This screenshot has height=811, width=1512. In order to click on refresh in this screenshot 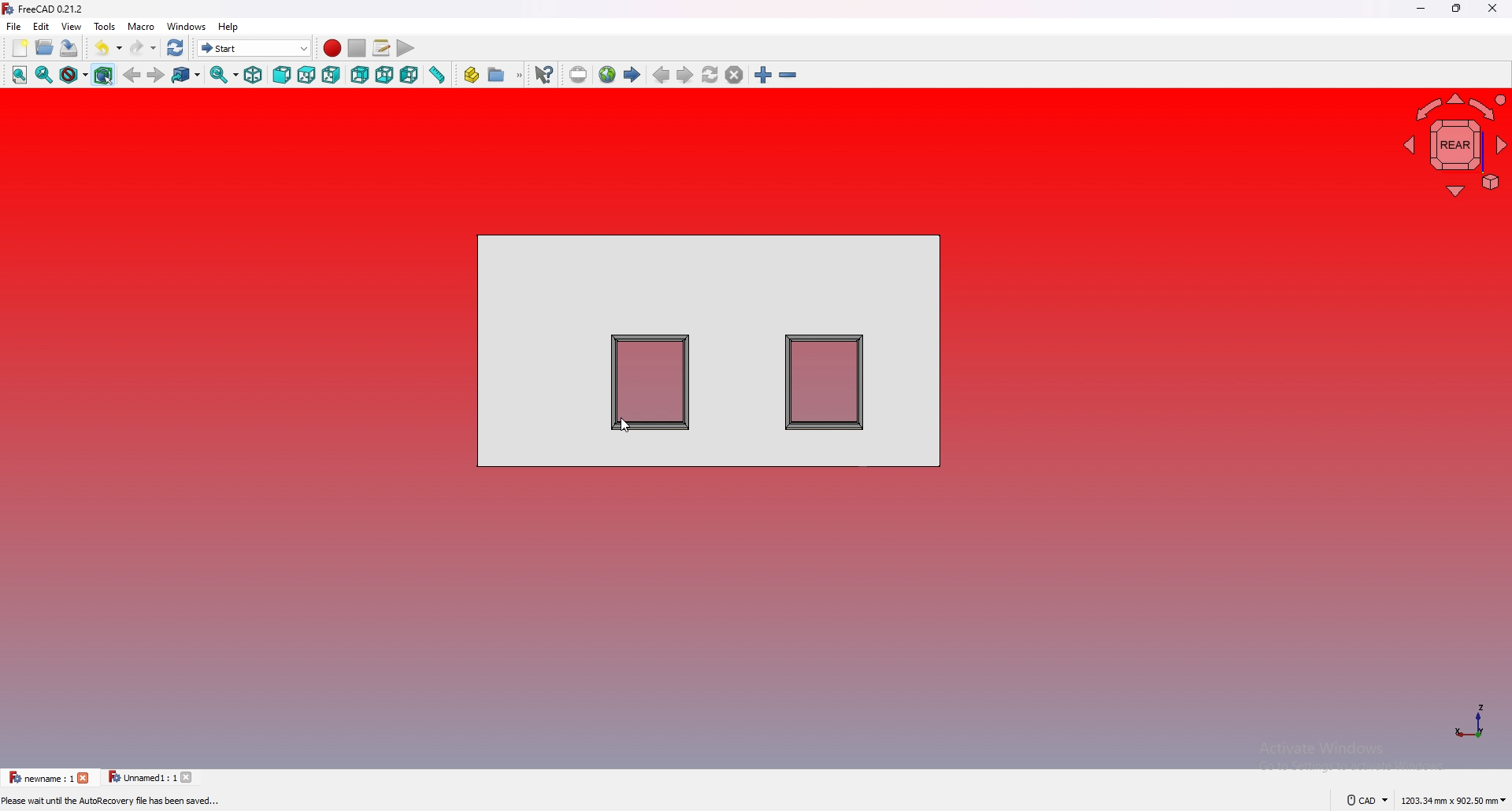, I will do `click(176, 48)`.